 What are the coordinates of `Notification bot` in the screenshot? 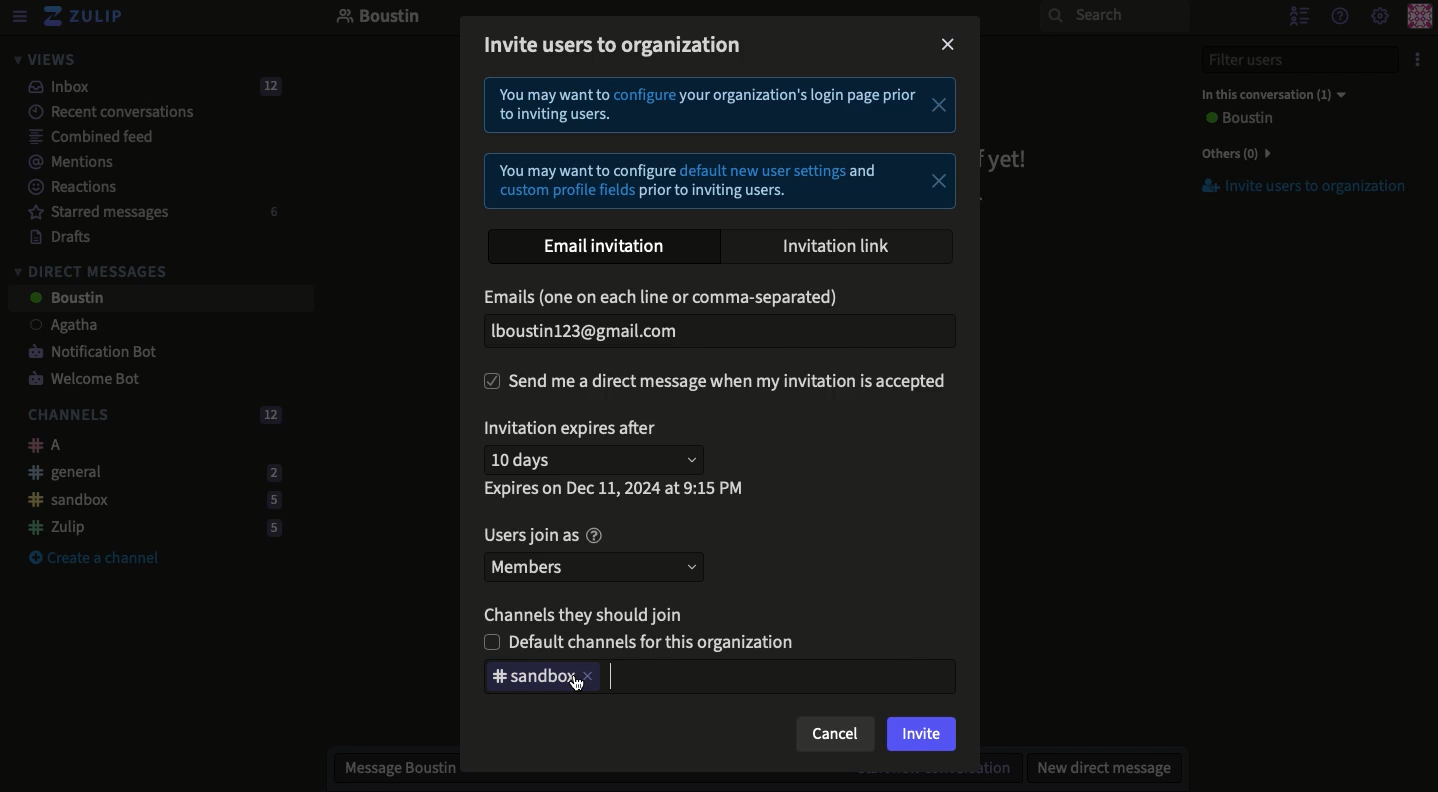 It's located at (85, 353).